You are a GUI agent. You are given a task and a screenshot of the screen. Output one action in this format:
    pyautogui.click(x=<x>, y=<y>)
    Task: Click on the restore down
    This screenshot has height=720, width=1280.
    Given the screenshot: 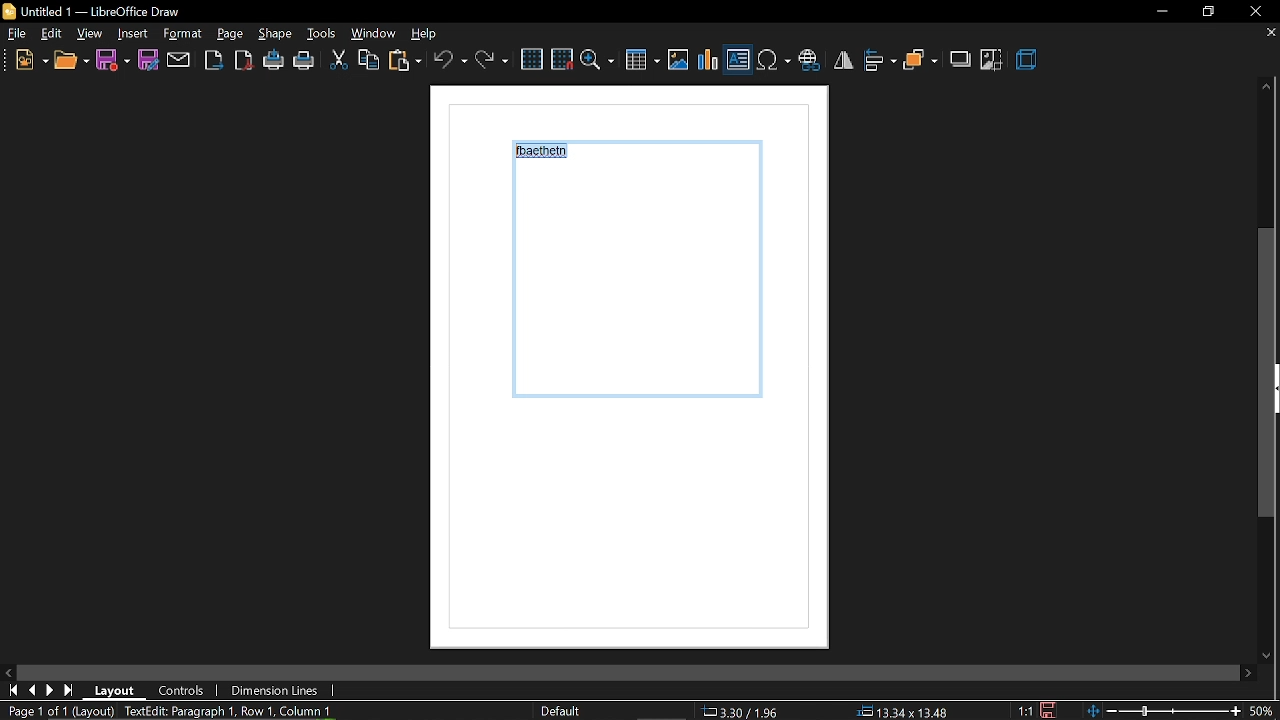 What is the action you would take?
    pyautogui.click(x=1211, y=11)
    